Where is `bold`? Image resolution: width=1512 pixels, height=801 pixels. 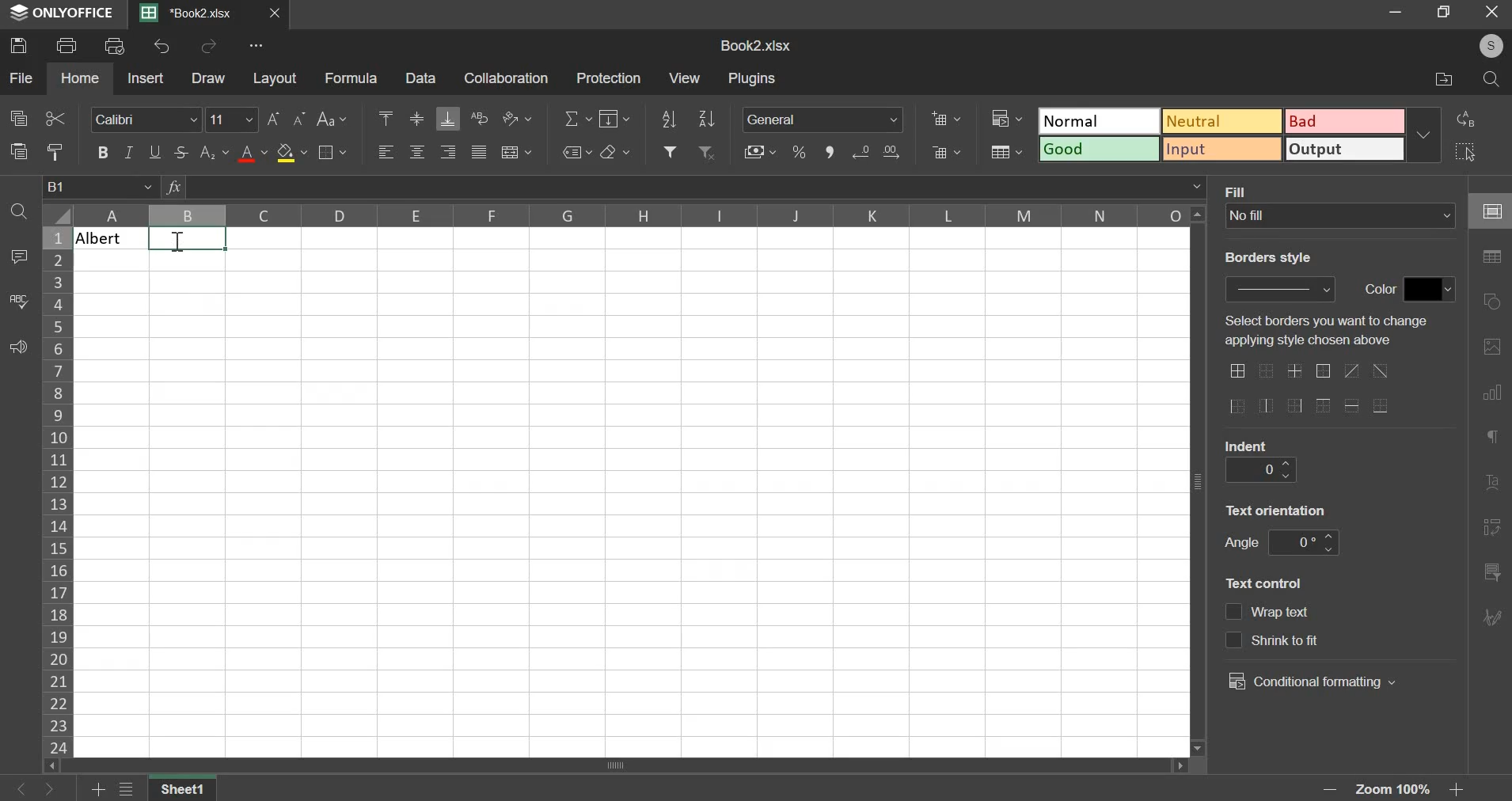 bold is located at coordinates (102, 152).